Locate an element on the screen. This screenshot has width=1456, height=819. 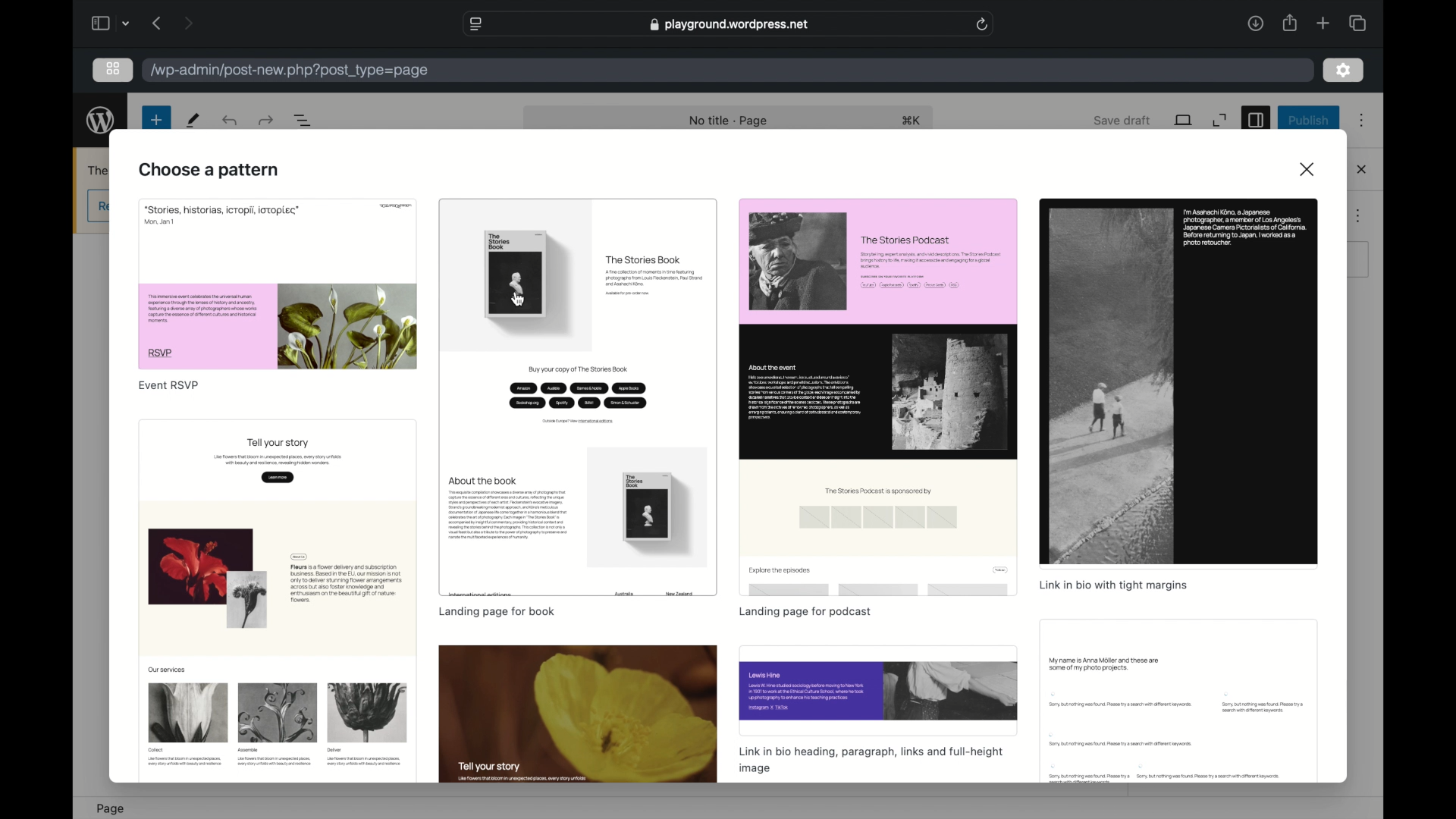
redo is located at coordinates (231, 121).